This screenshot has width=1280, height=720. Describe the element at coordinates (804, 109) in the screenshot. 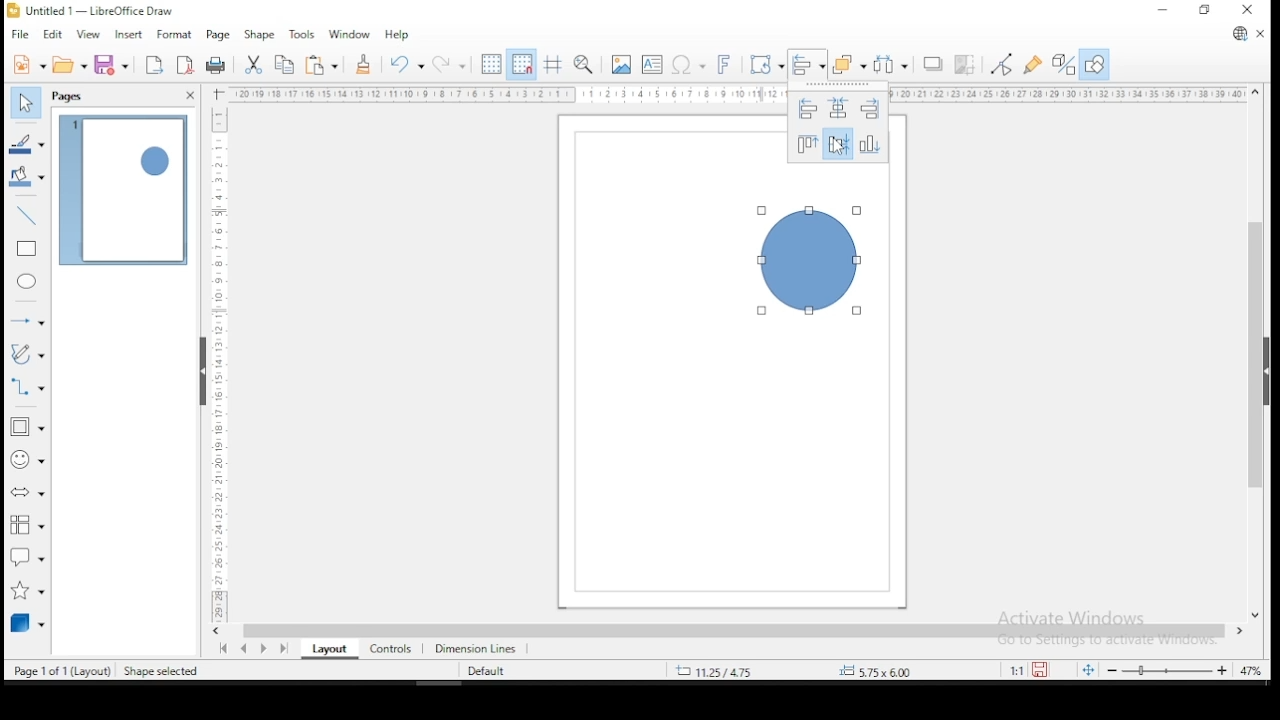

I see `left` at that location.